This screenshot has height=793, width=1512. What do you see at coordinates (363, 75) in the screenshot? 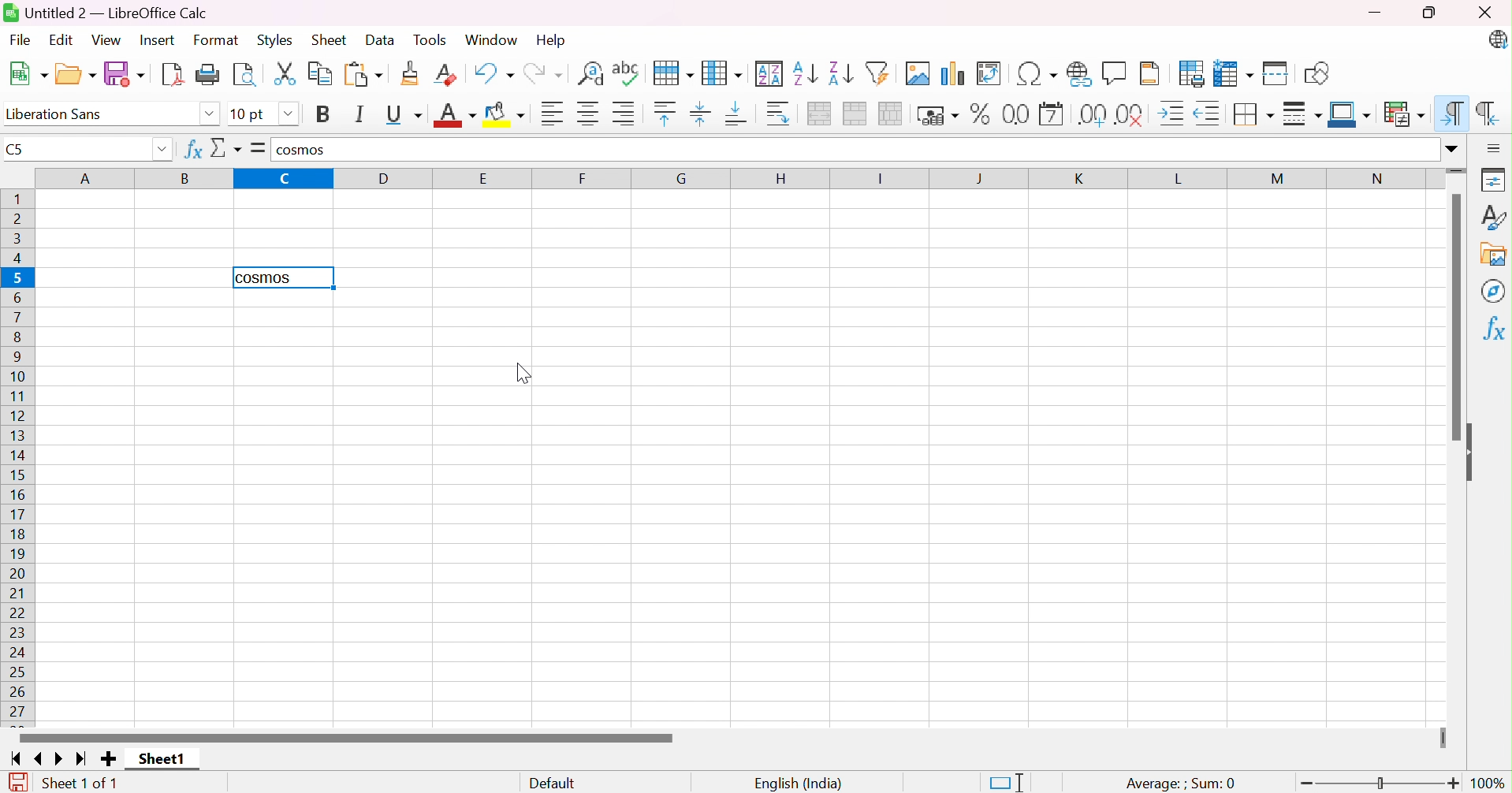
I see `Paste` at bounding box center [363, 75].